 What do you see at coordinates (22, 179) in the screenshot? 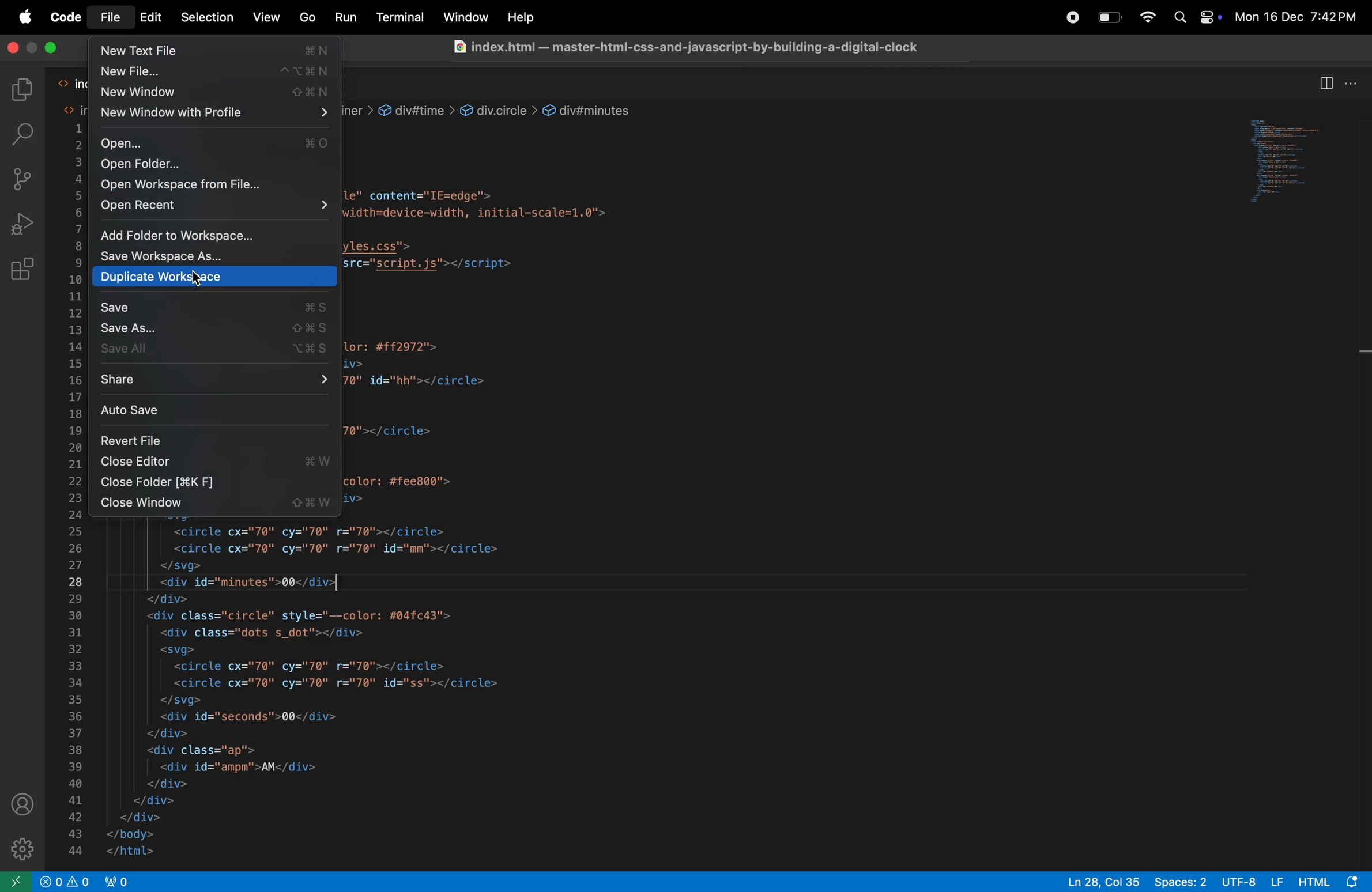
I see `source control` at bounding box center [22, 179].